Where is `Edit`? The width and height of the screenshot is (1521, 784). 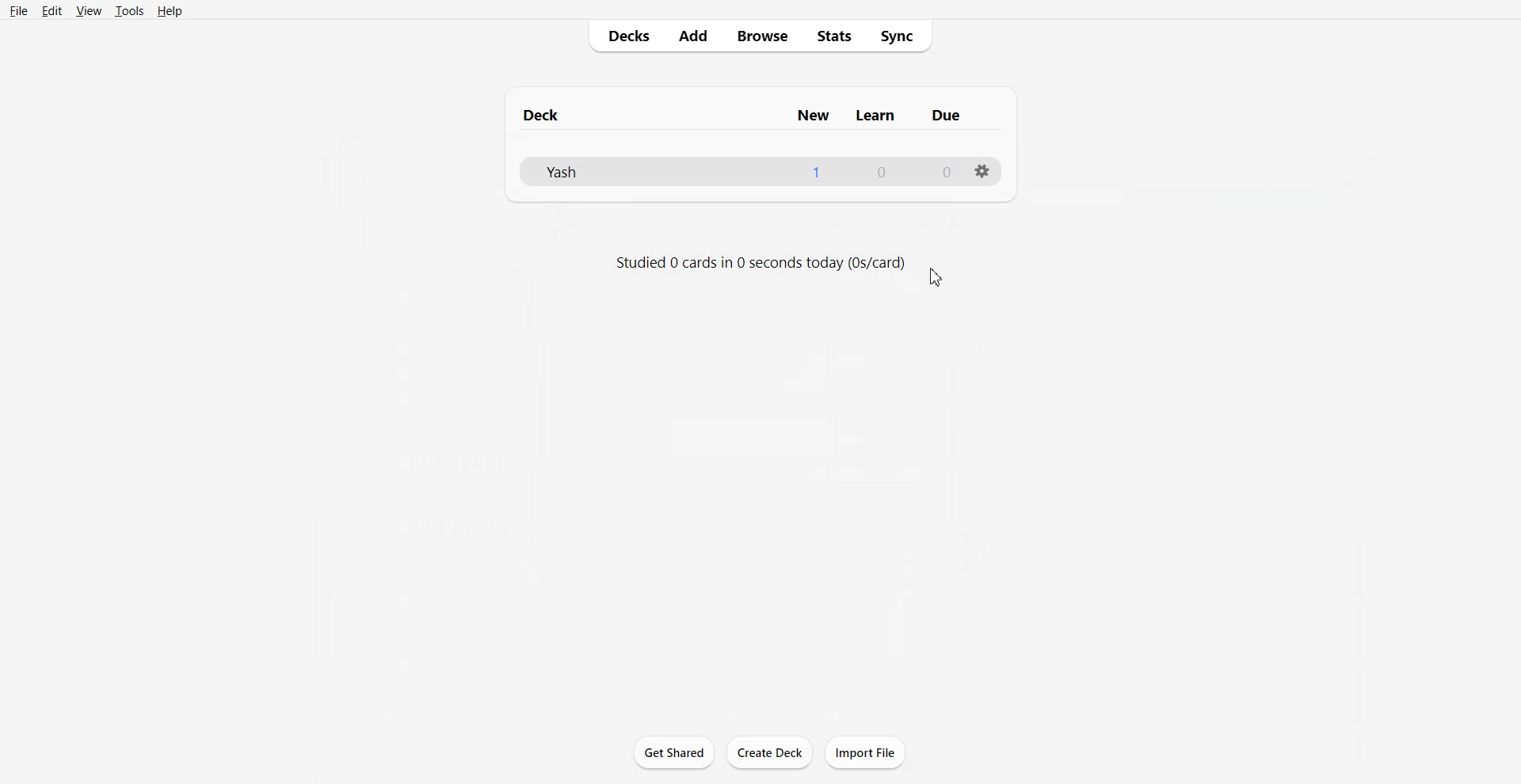
Edit is located at coordinates (51, 10).